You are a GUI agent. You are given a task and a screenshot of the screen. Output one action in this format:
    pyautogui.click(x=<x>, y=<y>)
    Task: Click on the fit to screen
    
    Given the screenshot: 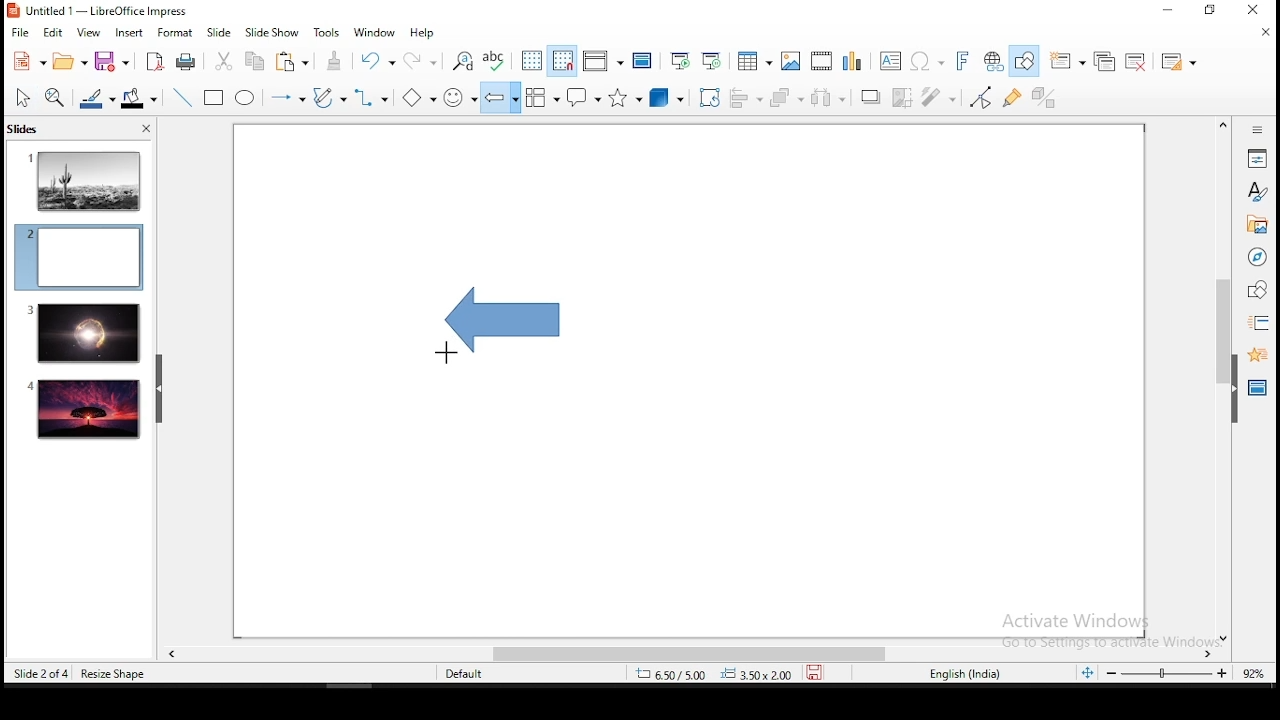 What is the action you would take?
    pyautogui.click(x=1087, y=674)
    